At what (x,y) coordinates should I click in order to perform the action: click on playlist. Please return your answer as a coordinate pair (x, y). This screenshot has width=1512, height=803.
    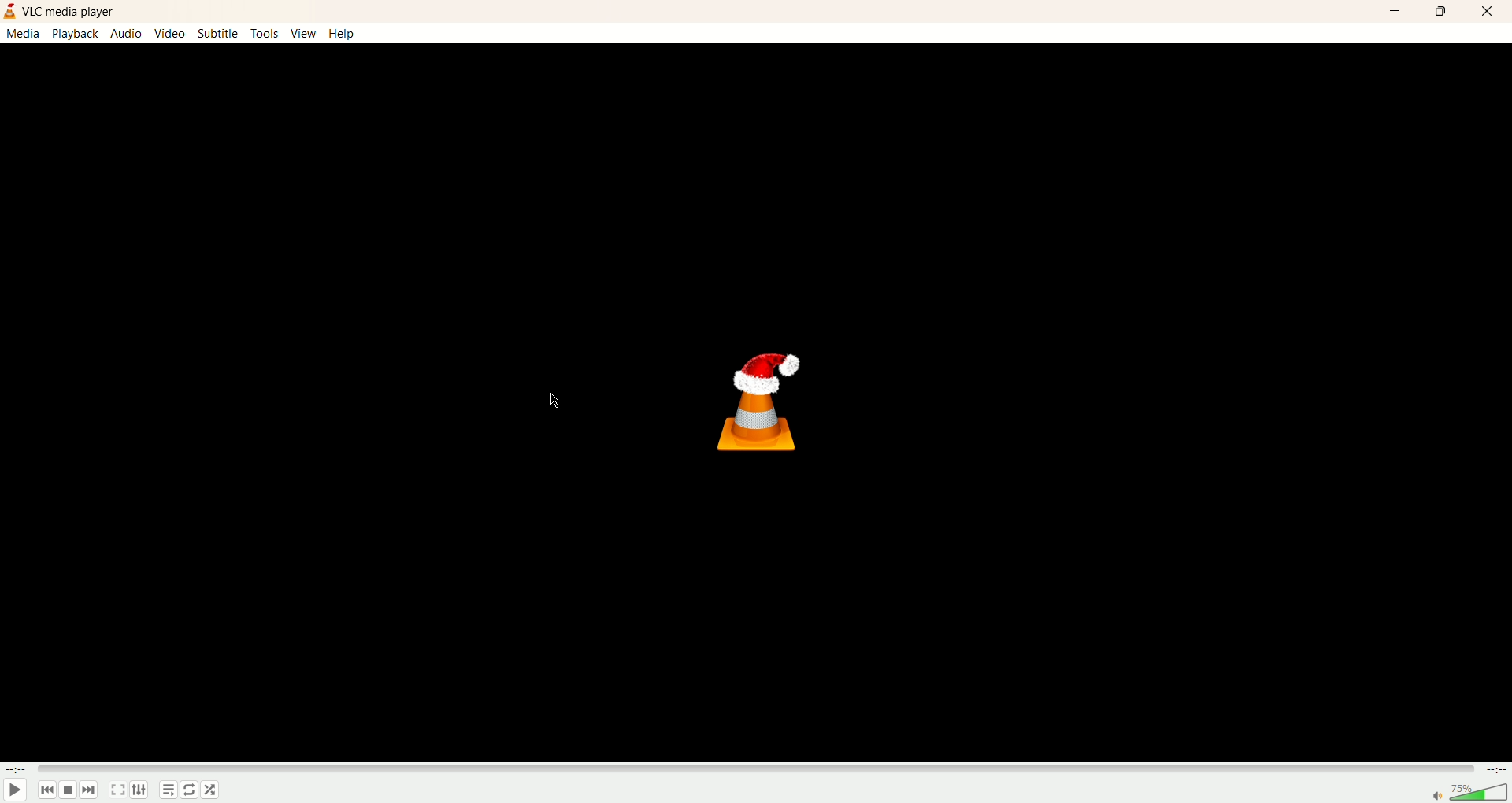
    Looking at the image, I should click on (168, 790).